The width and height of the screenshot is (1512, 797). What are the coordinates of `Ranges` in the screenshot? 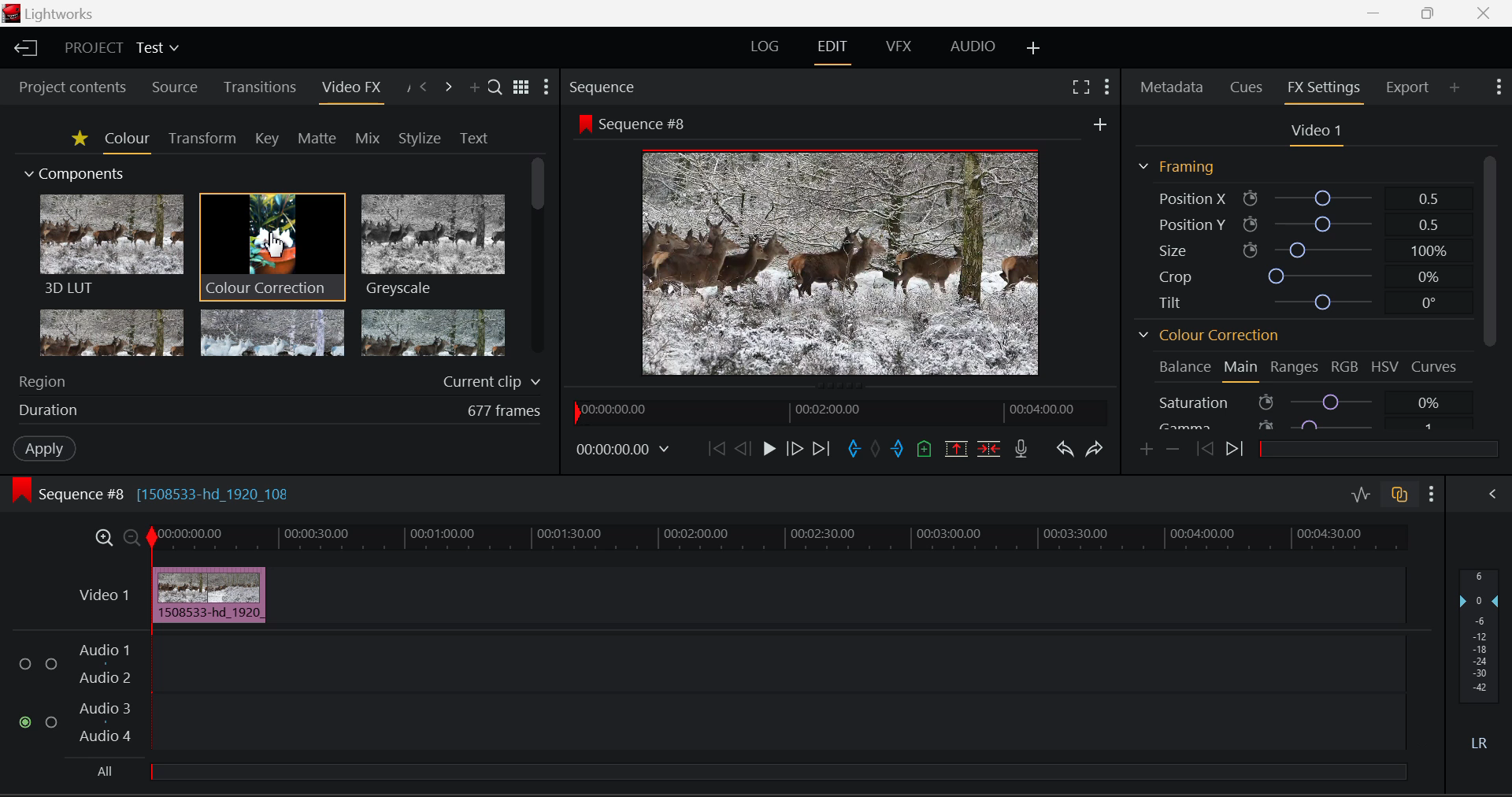 It's located at (1295, 369).